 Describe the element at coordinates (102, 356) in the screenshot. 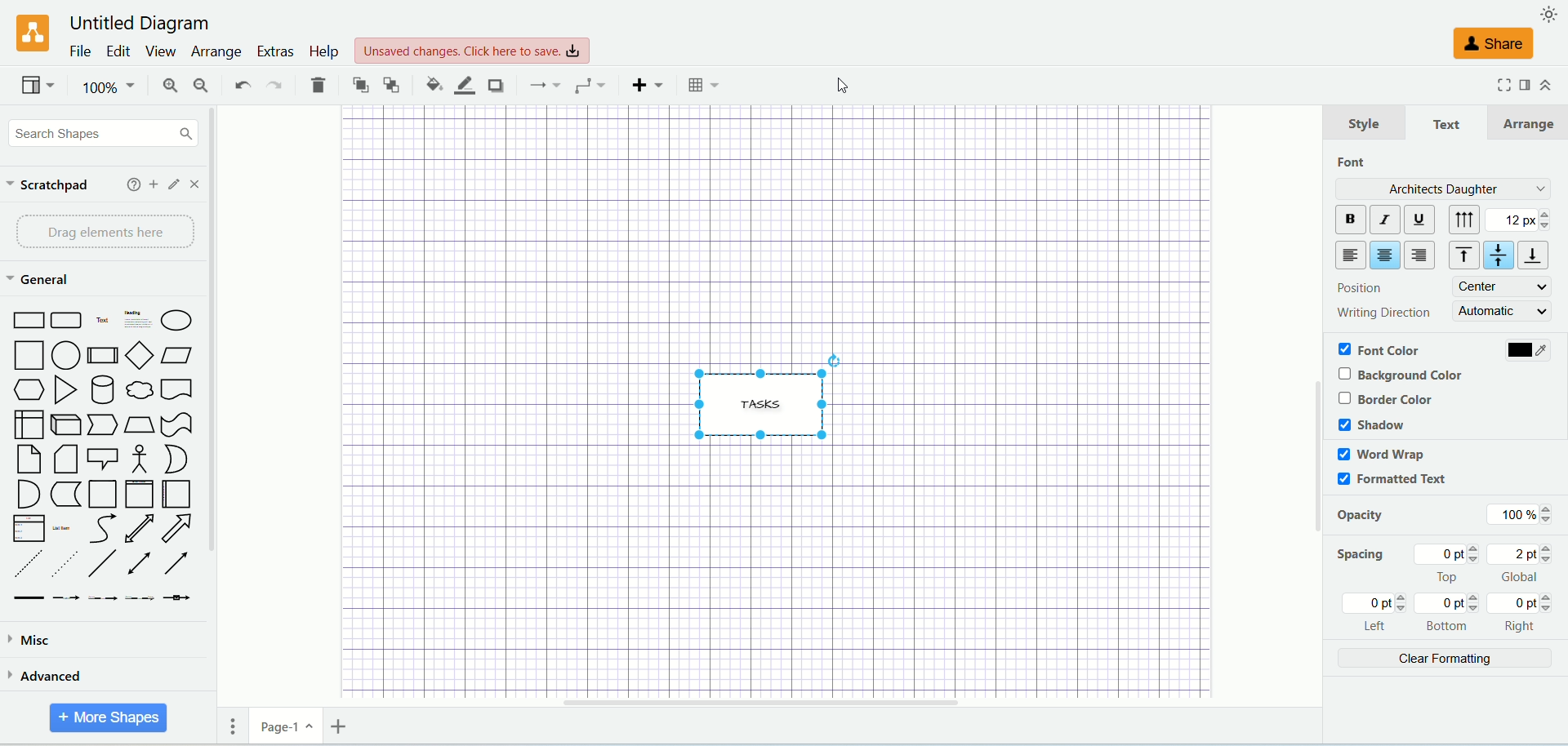

I see `Process` at that location.